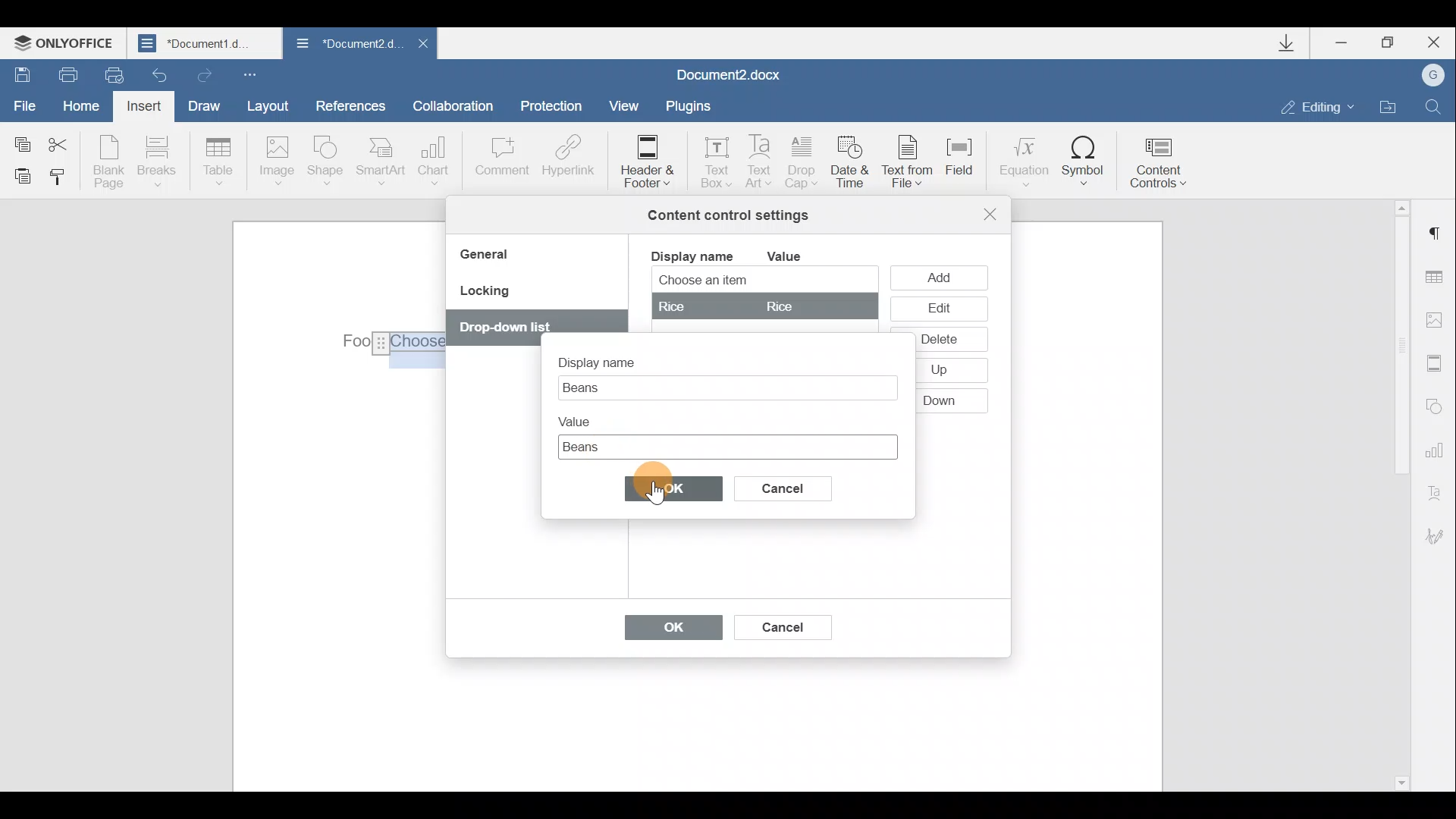 Image resolution: width=1456 pixels, height=819 pixels. What do you see at coordinates (17, 73) in the screenshot?
I see `Save` at bounding box center [17, 73].